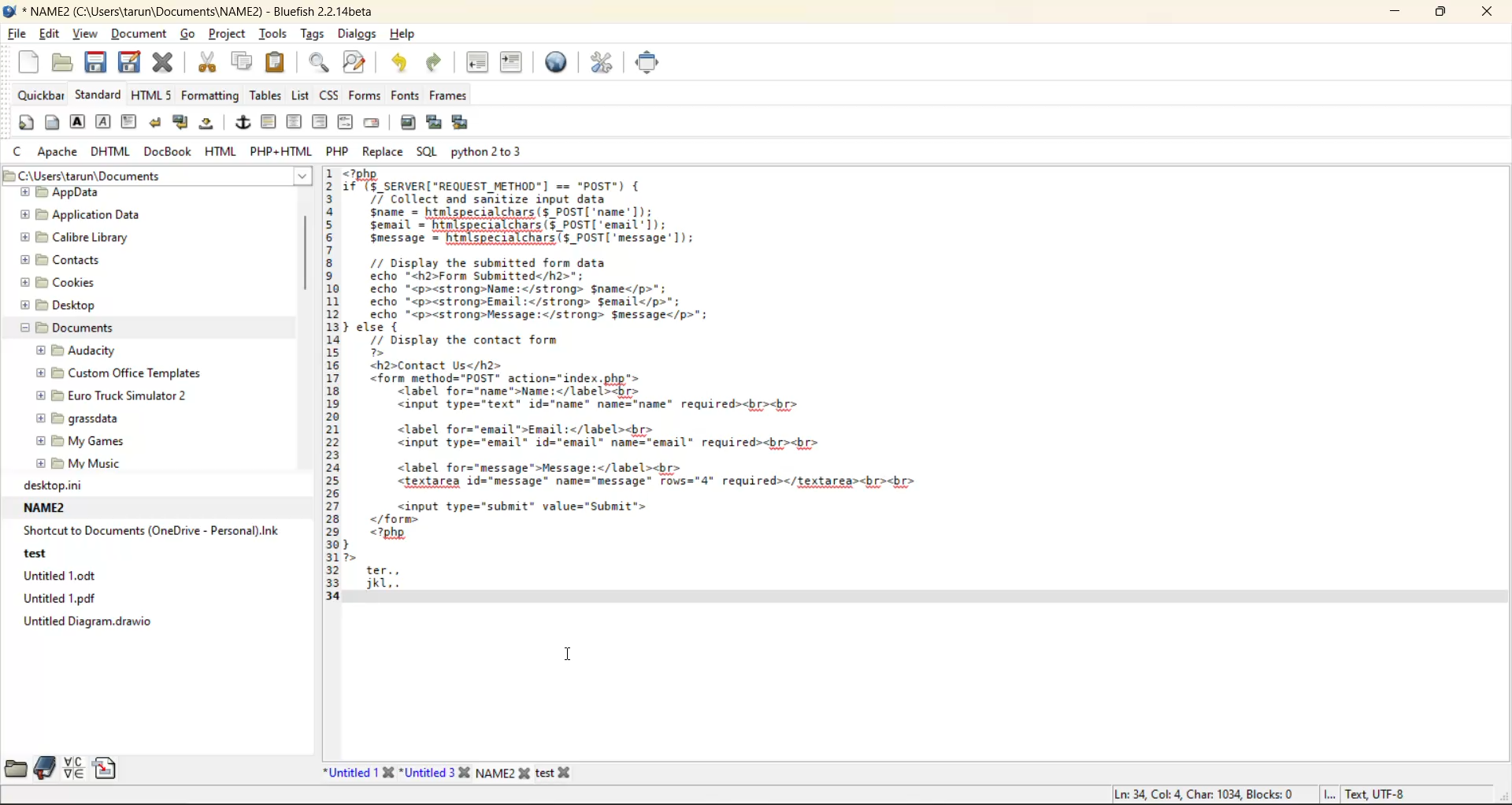 The height and width of the screenshot is (805, 1512). What do you see at coordinates (564, 770) in the screenshot?
I see `test` at bounding box center [564, 770].